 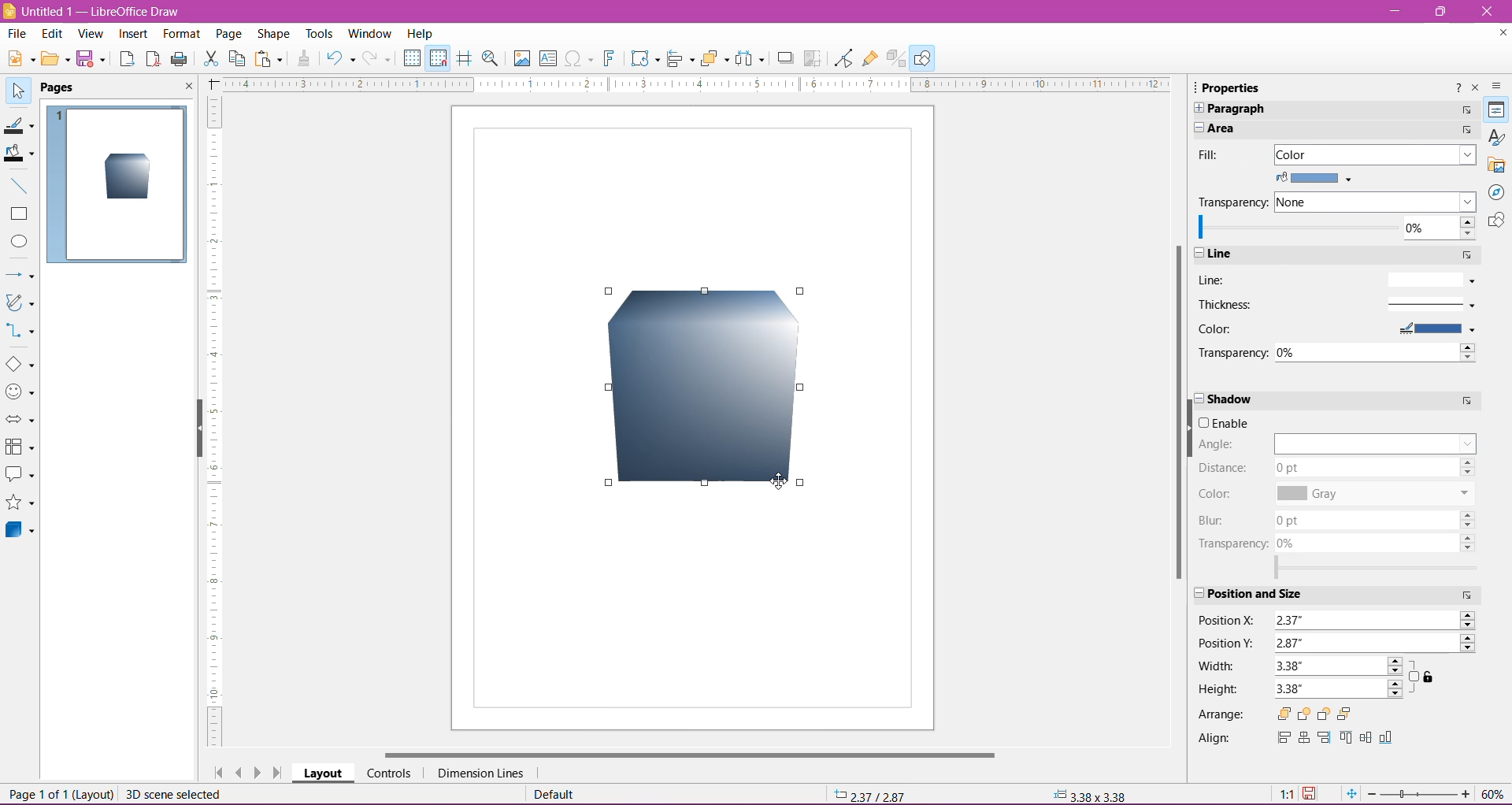 What do you see at coordinates (1499, 86) in the screenshot?
I see `Sidebar settings` at bounding box center [1499, 86].